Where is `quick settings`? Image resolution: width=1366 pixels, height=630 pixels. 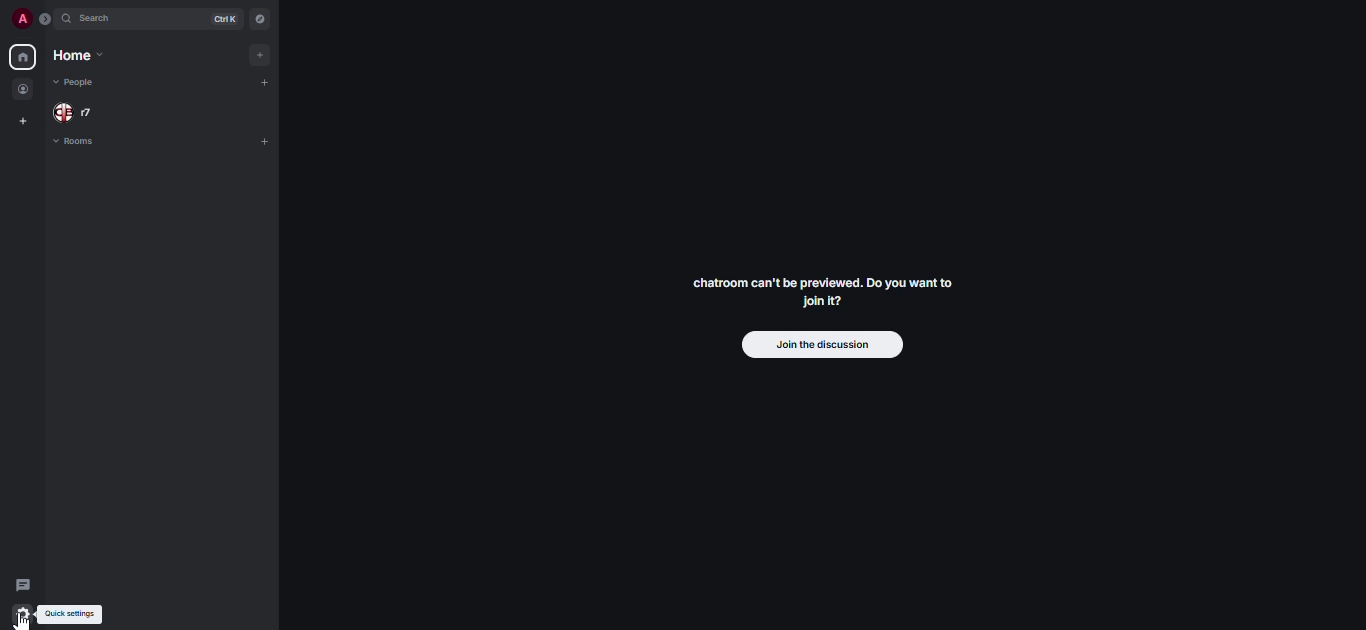 quick settings is located at coordinates (74, 615).